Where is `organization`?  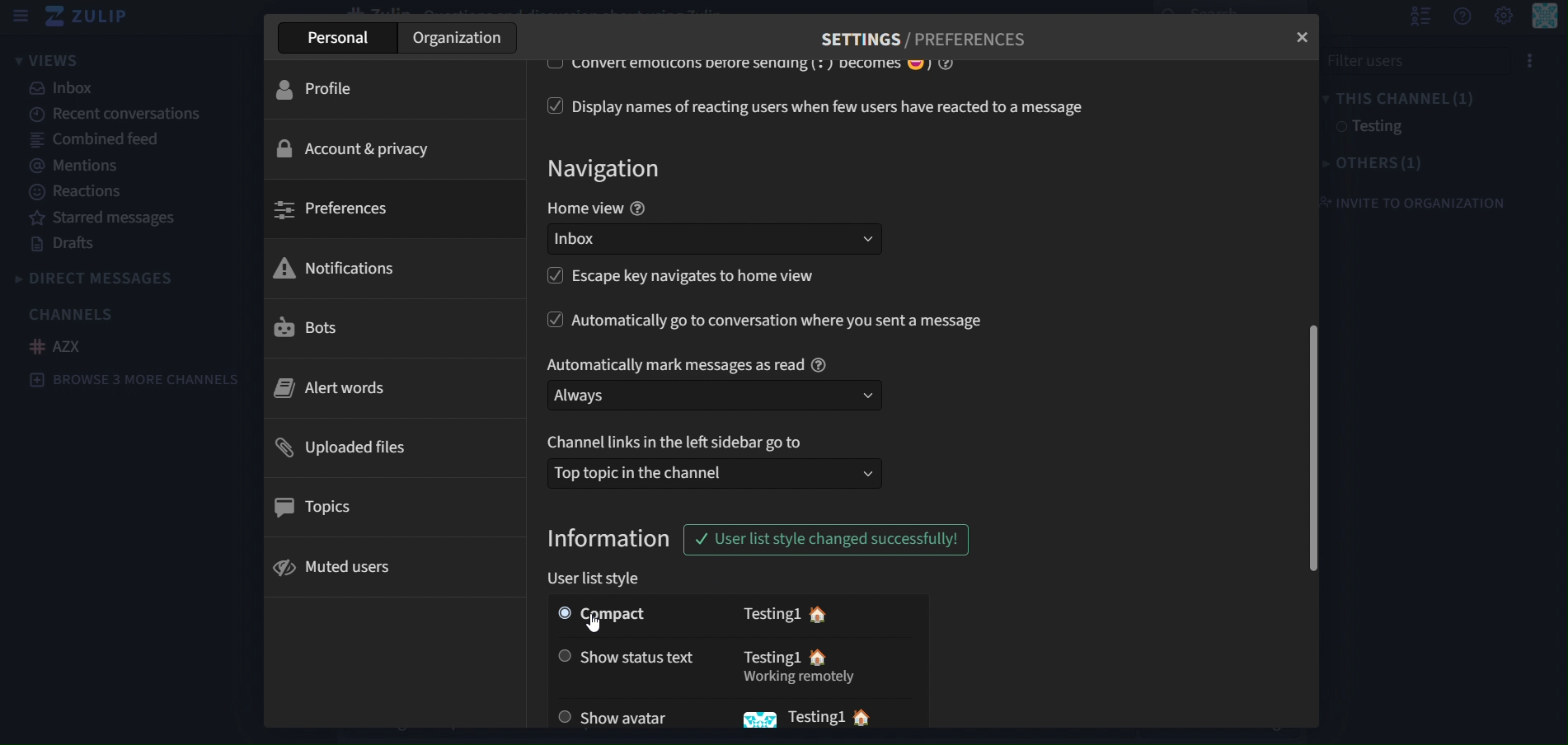 organization is located at coordinates (462, 40).